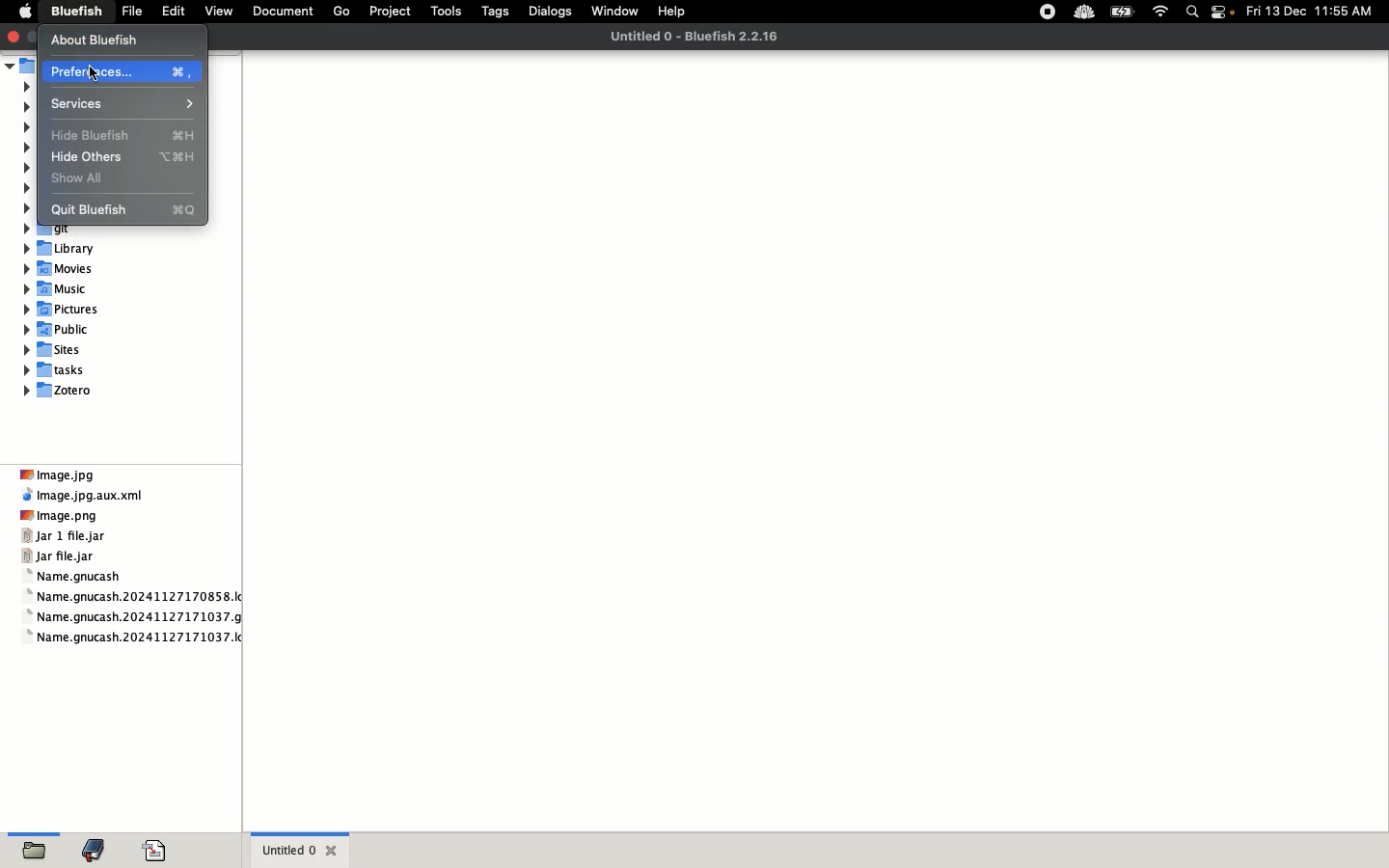  What do you see at coordinates (121, 157) in the screenshot?
I see `hide others` at bounding box center [121, 157].